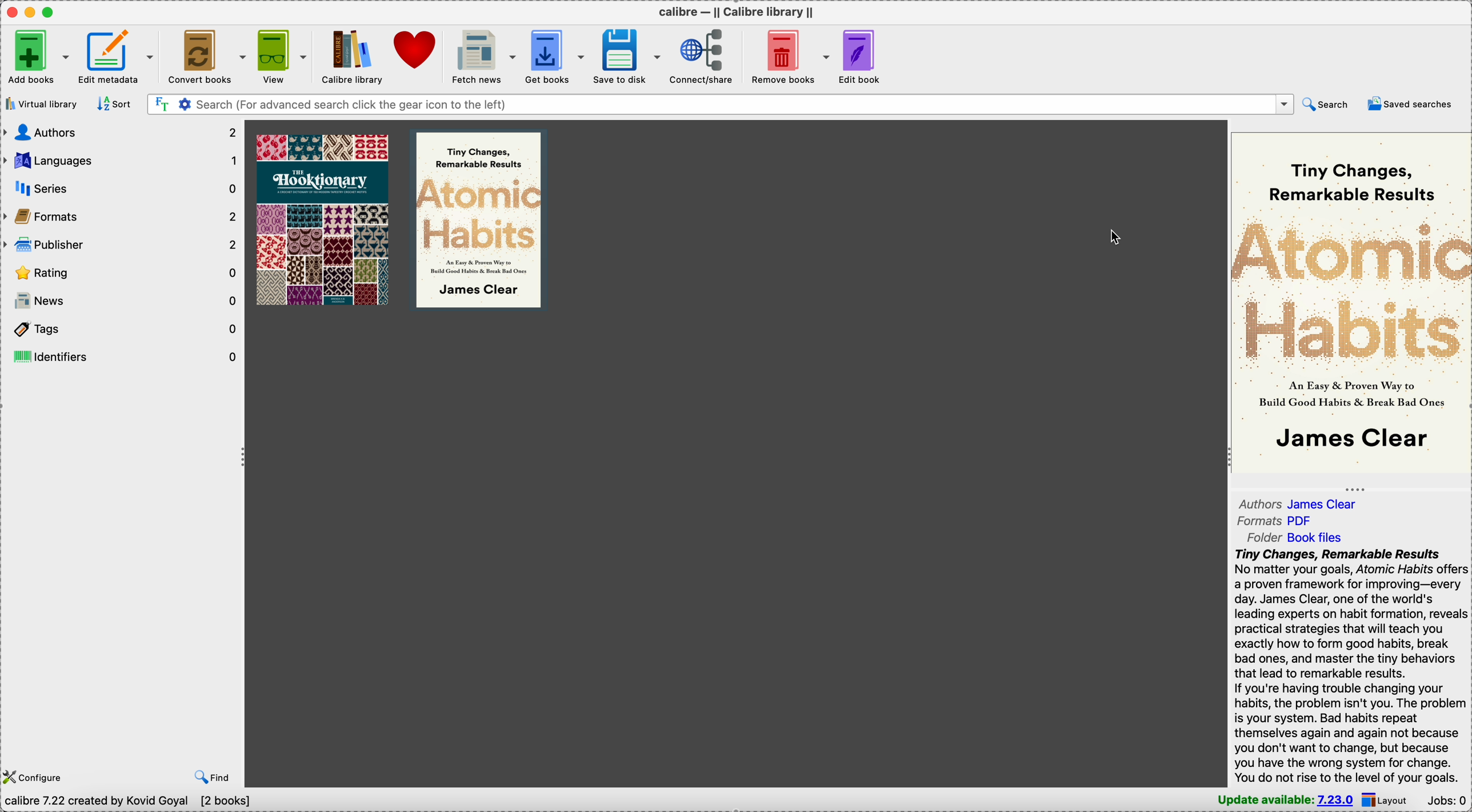  What do you see at coordinates (244, 458) in the screenshot?
I see `toggle expand/contract` at bounding box center [244, 458].